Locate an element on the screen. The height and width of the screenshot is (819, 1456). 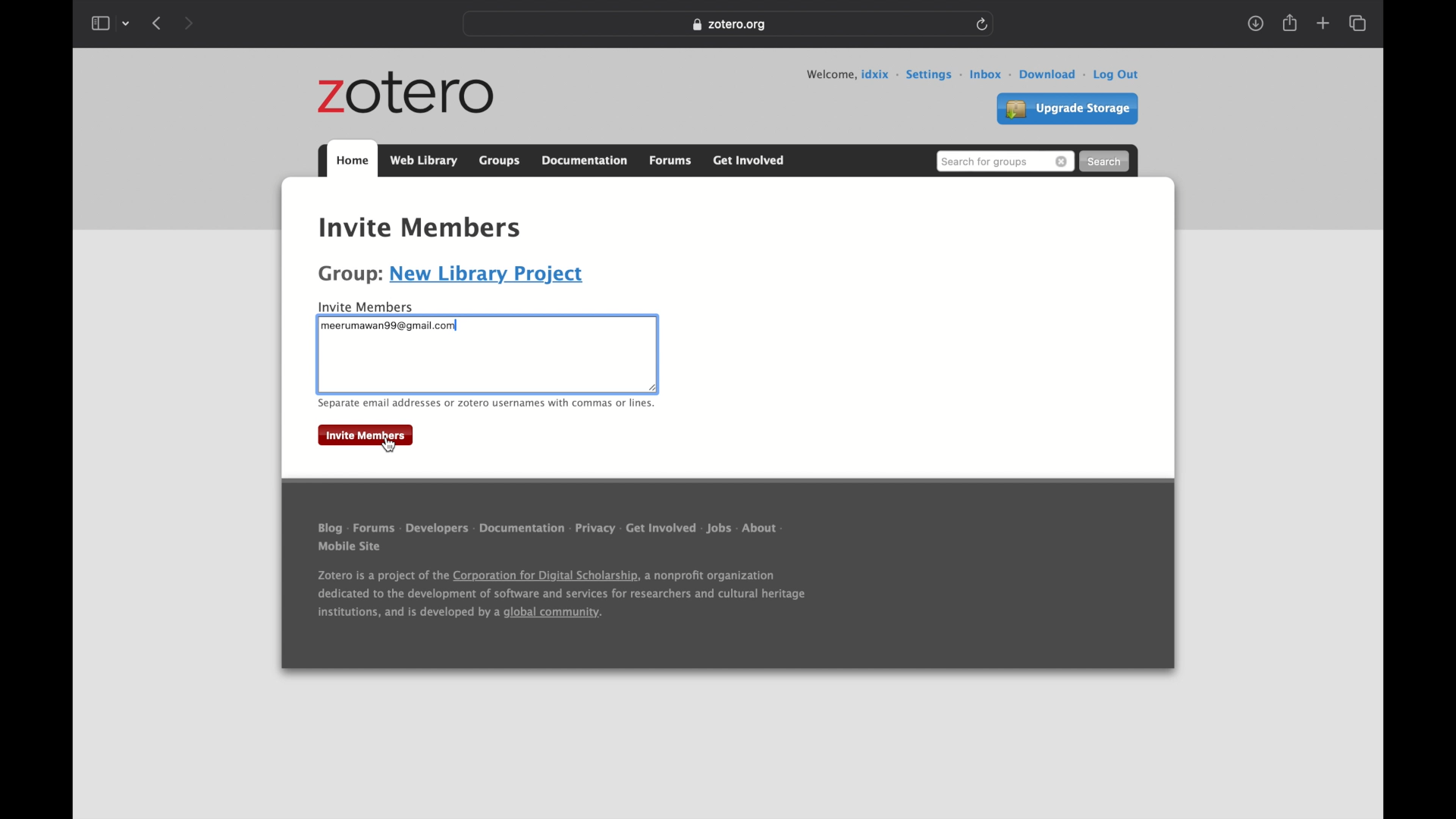
share is located at coordinates (1288, 23).